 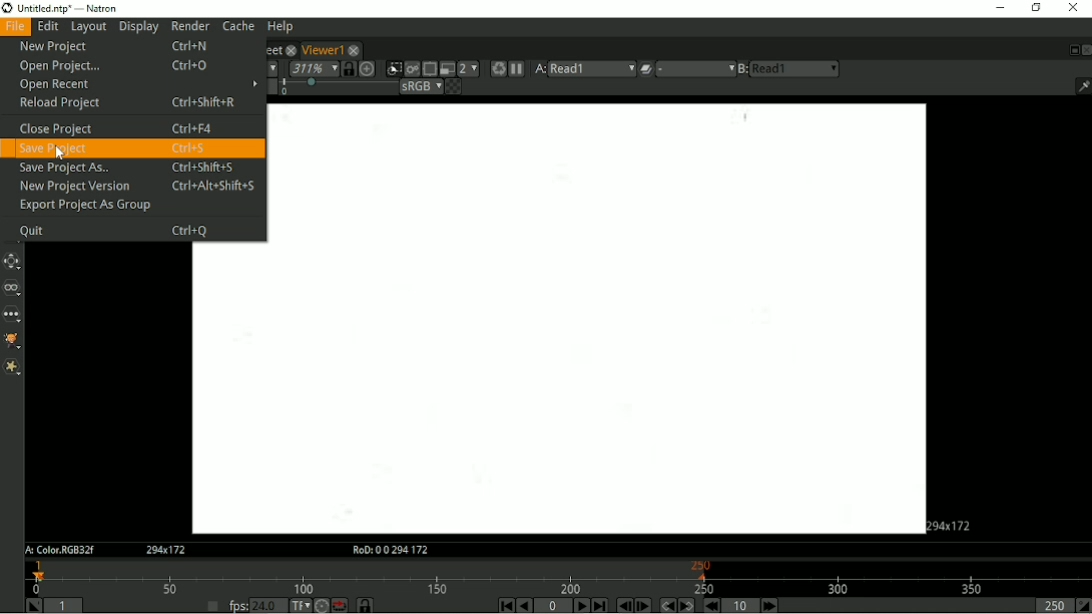 What do you see at coordinates (536, 69) in the screenshot?
I see `Viewer input A` at bounding box center [536, 69].